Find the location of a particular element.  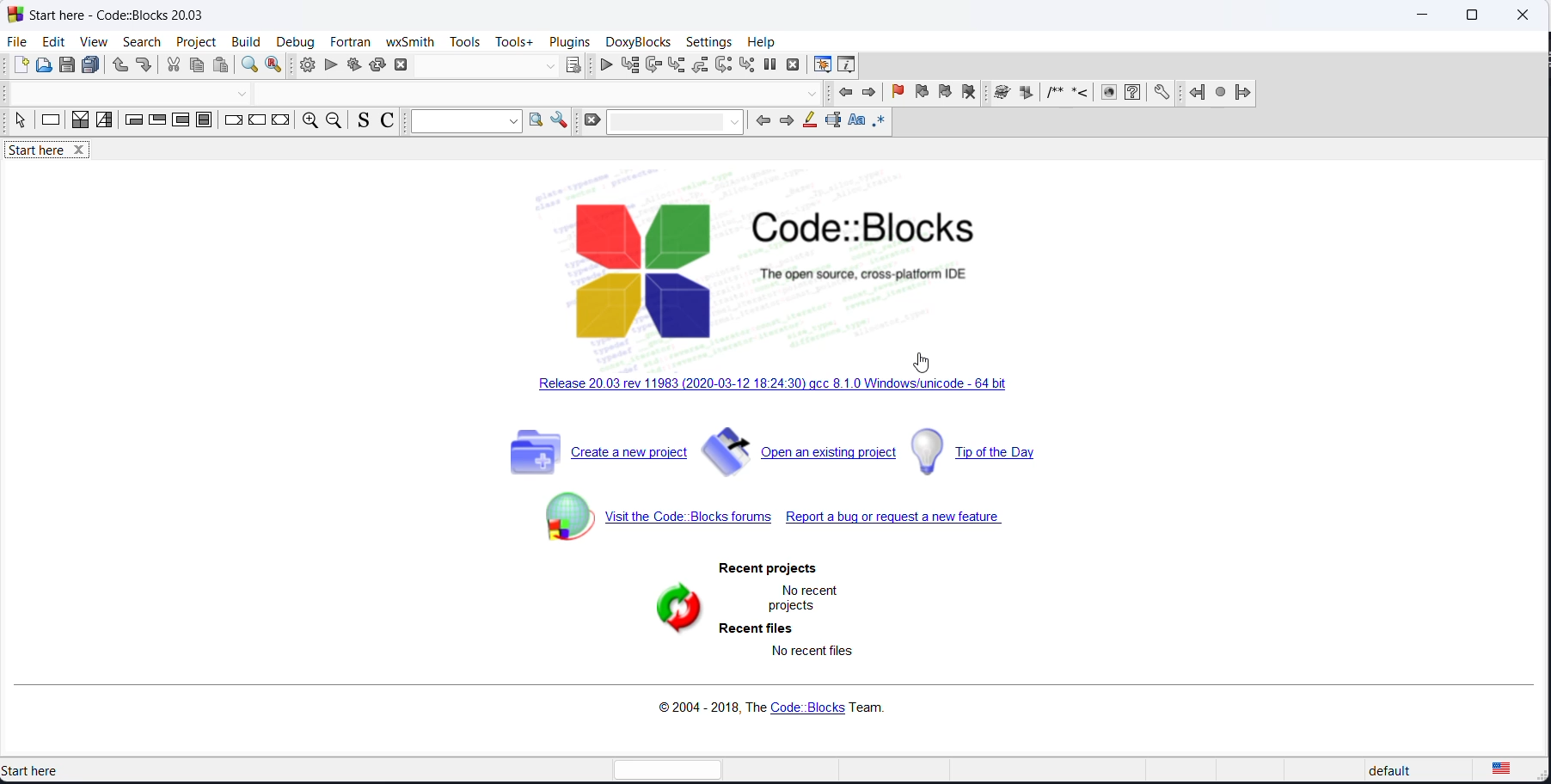

cursor is located at coordinates (917, 359).